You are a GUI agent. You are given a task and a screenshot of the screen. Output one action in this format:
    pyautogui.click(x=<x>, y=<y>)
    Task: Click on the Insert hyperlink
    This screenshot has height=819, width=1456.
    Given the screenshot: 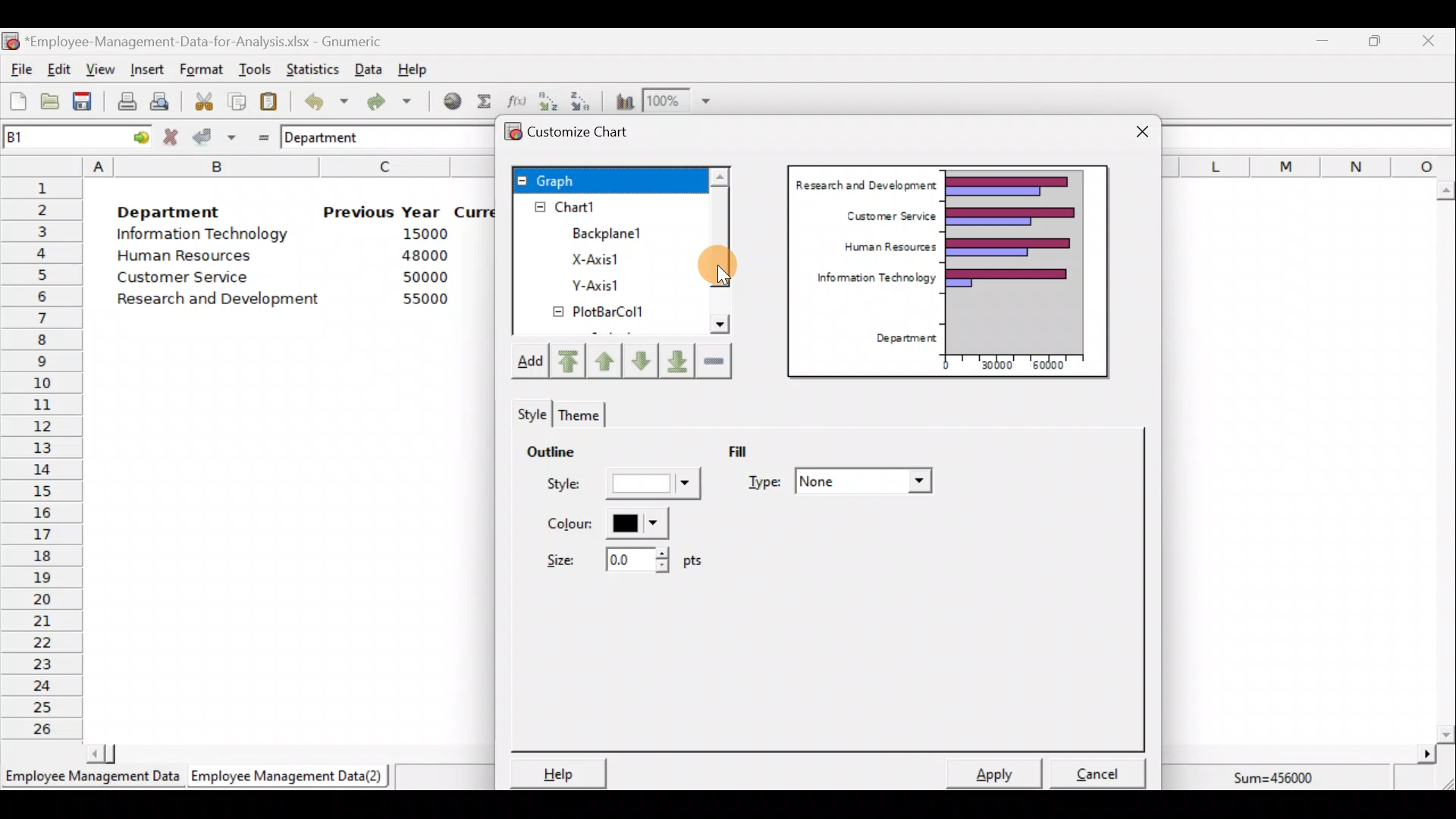 What is the action you would take?
    pyautogui.click(x=447, y=100)
    